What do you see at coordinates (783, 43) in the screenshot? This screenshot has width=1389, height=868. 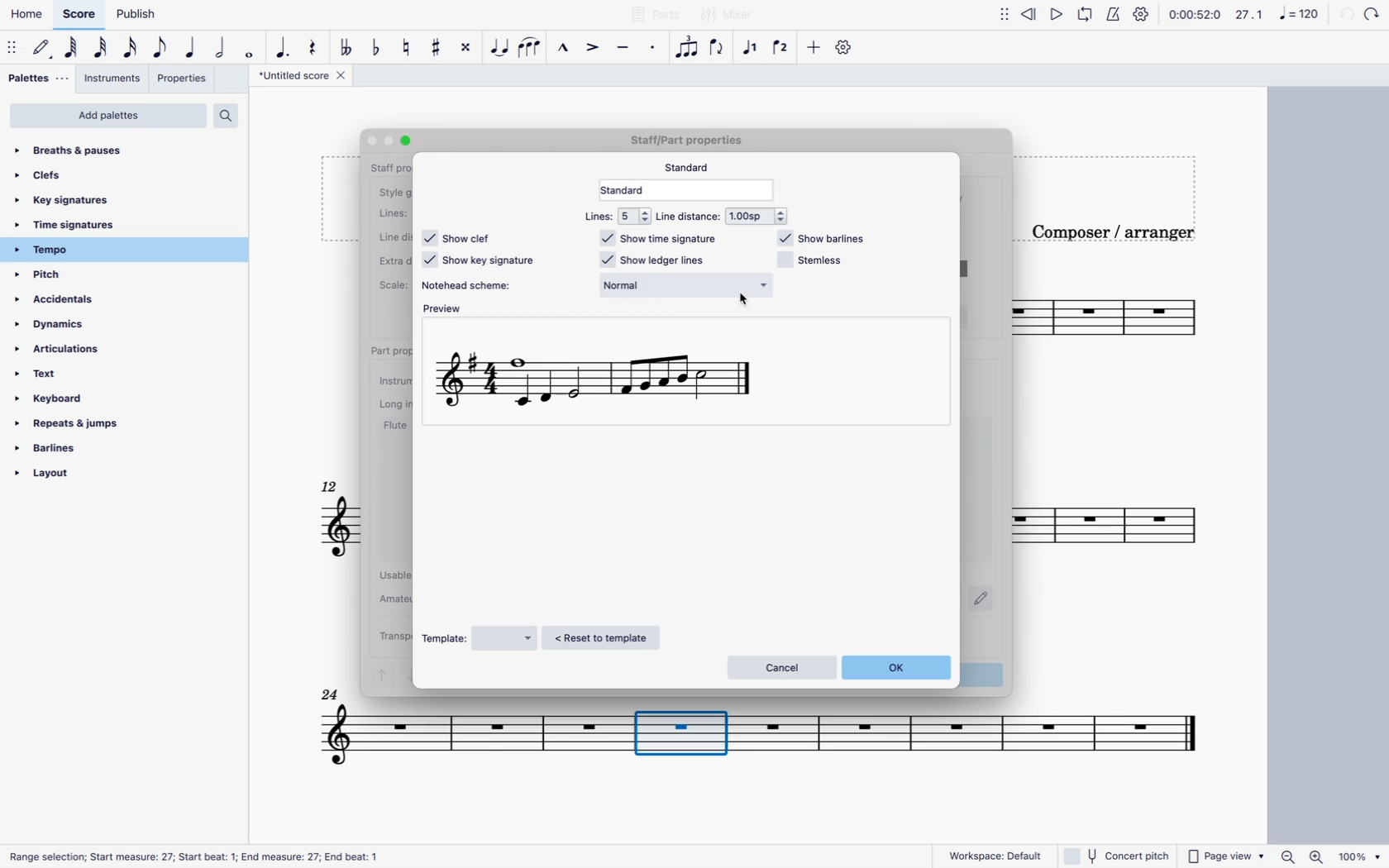 I see `voice 2` at bounding box center [783, 43].